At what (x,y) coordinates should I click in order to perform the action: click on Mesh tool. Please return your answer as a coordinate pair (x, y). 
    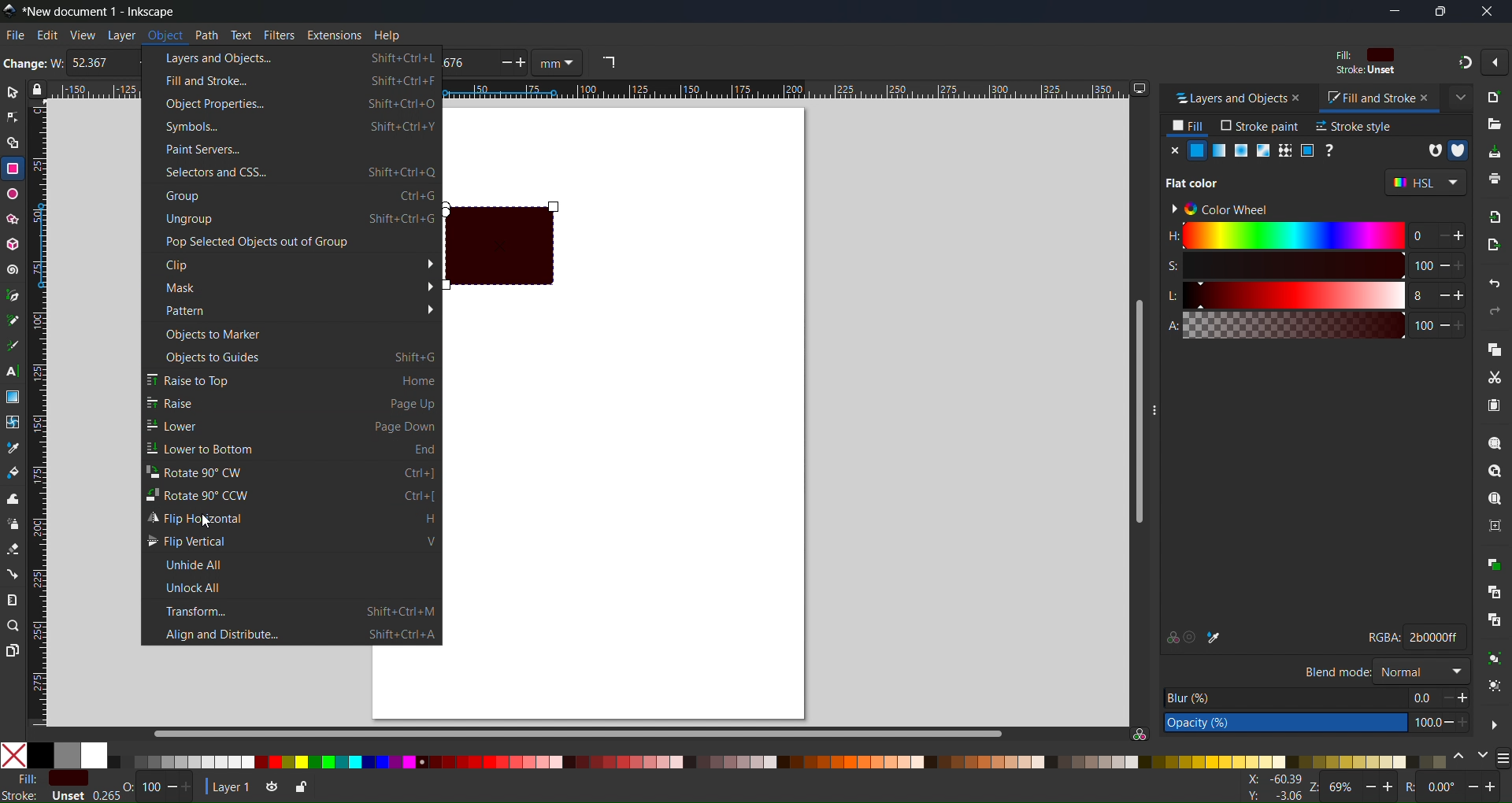
    Looking at the image, I should click on (13, 422).